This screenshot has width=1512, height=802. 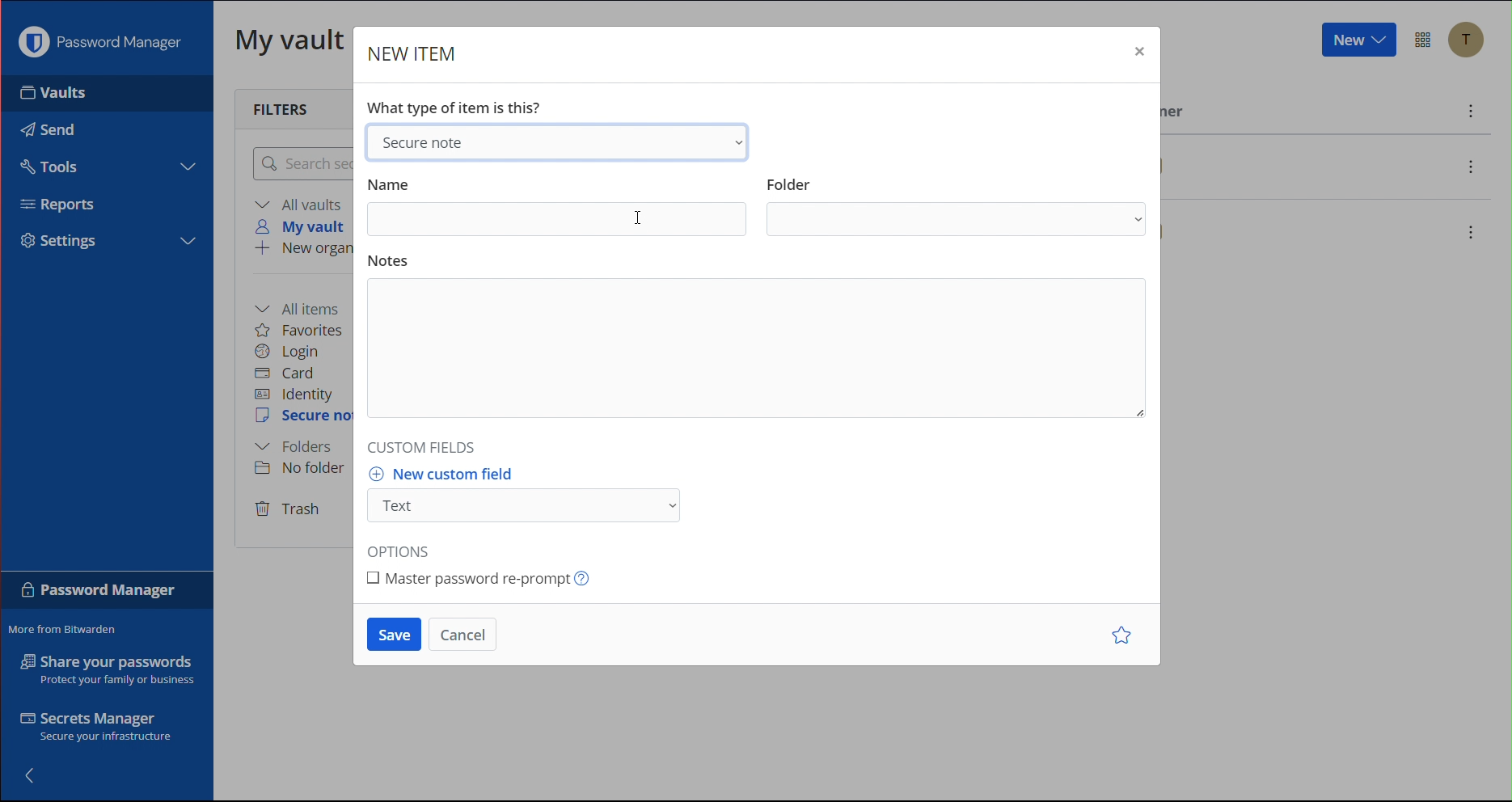 What do you see at coordinates (99, 46) in the screenshot?
I see `Password Manager` at bounding box center [99, 46].